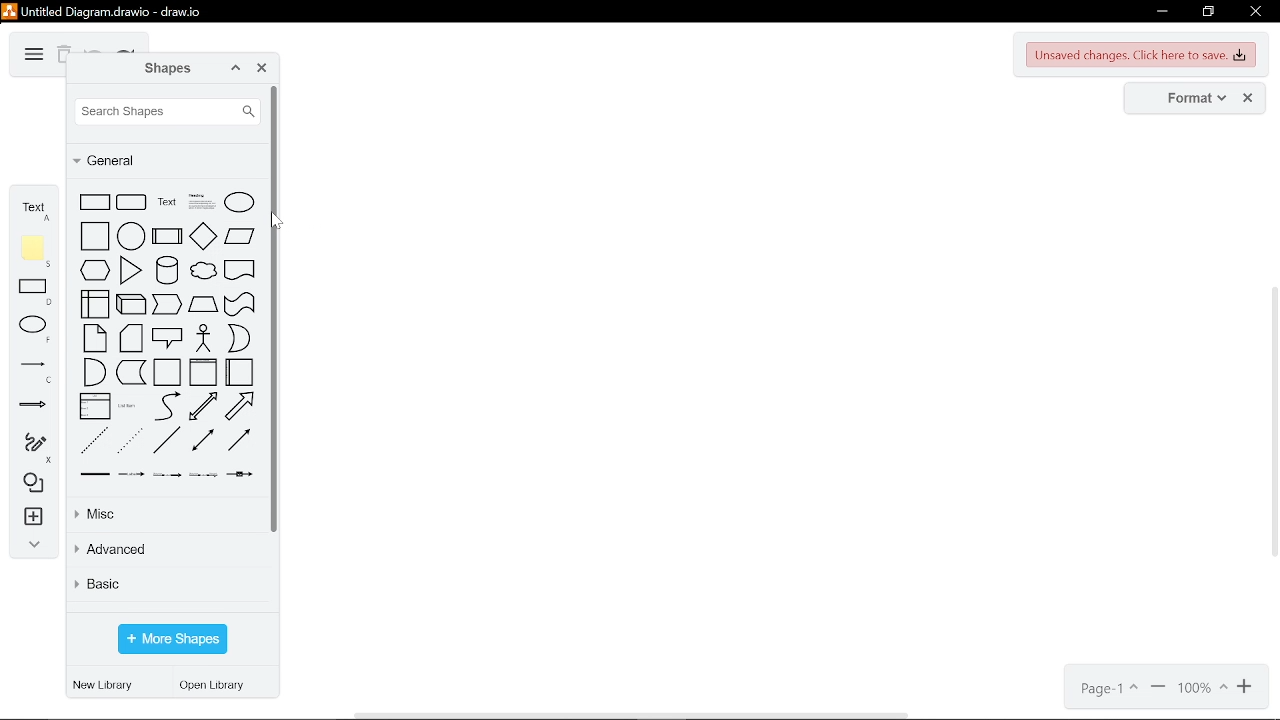 The width and height of the screenshot is (1280, 720). What do you see at coordinates (1208, 12) in the screenshot?
I see `restore down` at bounding box center [1208, 12].